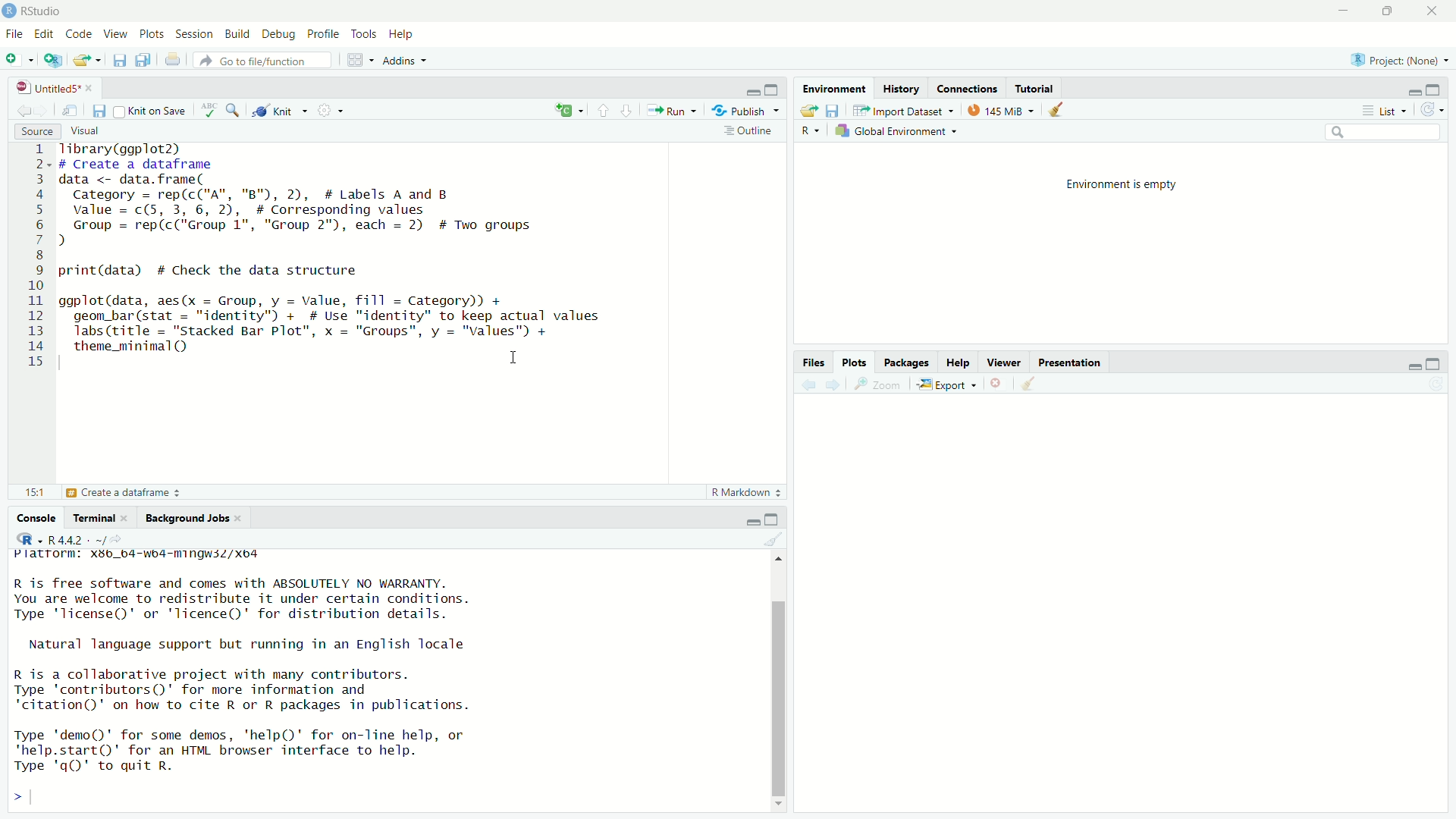 This screenshot has height=819, width=1456. I want to click on Save current document (Ctrl + S), so click(99, 109).